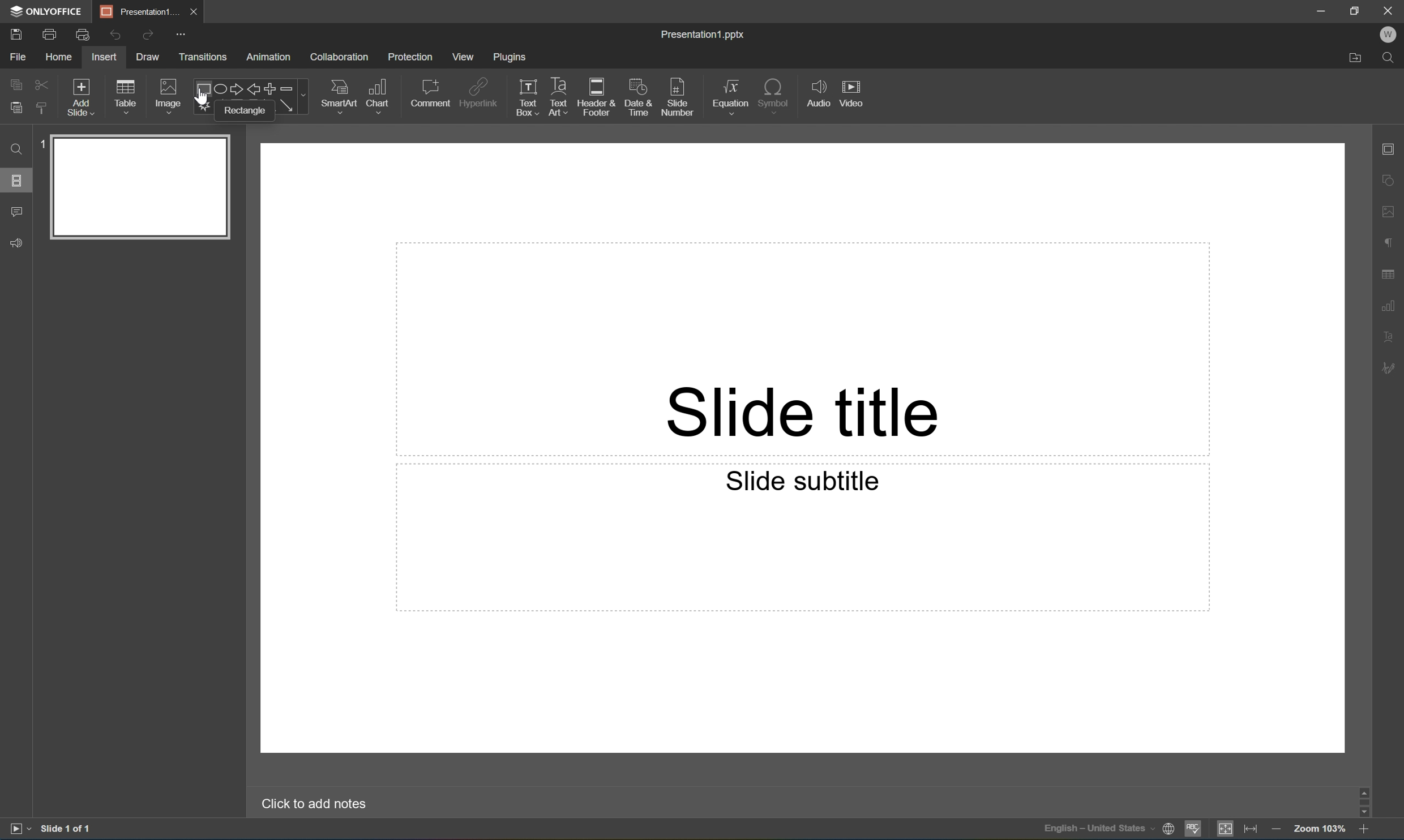  What do you see at coordinates (803, 413) in the screenshot?
I see `Slide title` at bounding box center [803, 413].